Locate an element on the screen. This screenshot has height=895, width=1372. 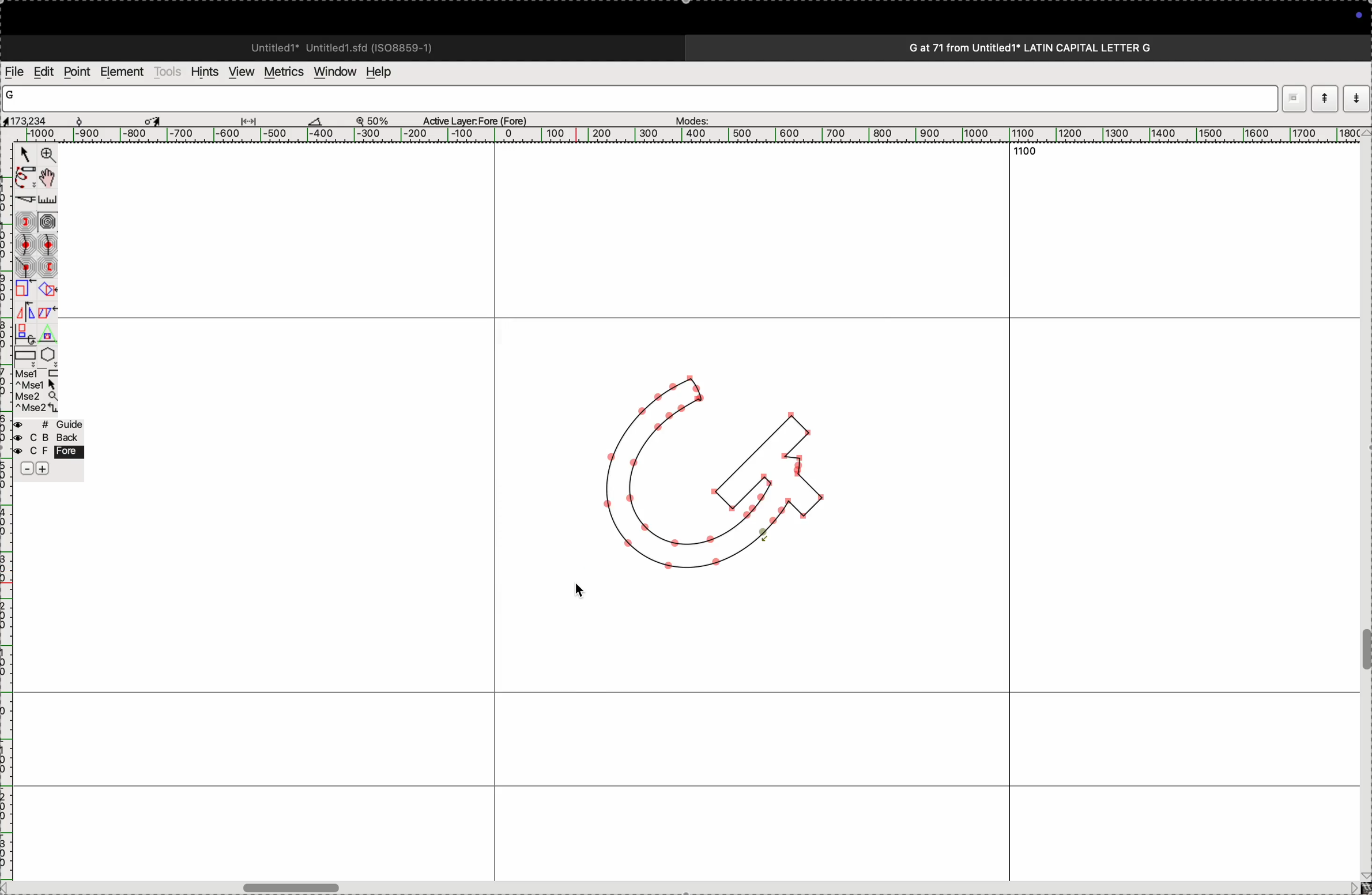
back layer is located at coordinates (48, 438).